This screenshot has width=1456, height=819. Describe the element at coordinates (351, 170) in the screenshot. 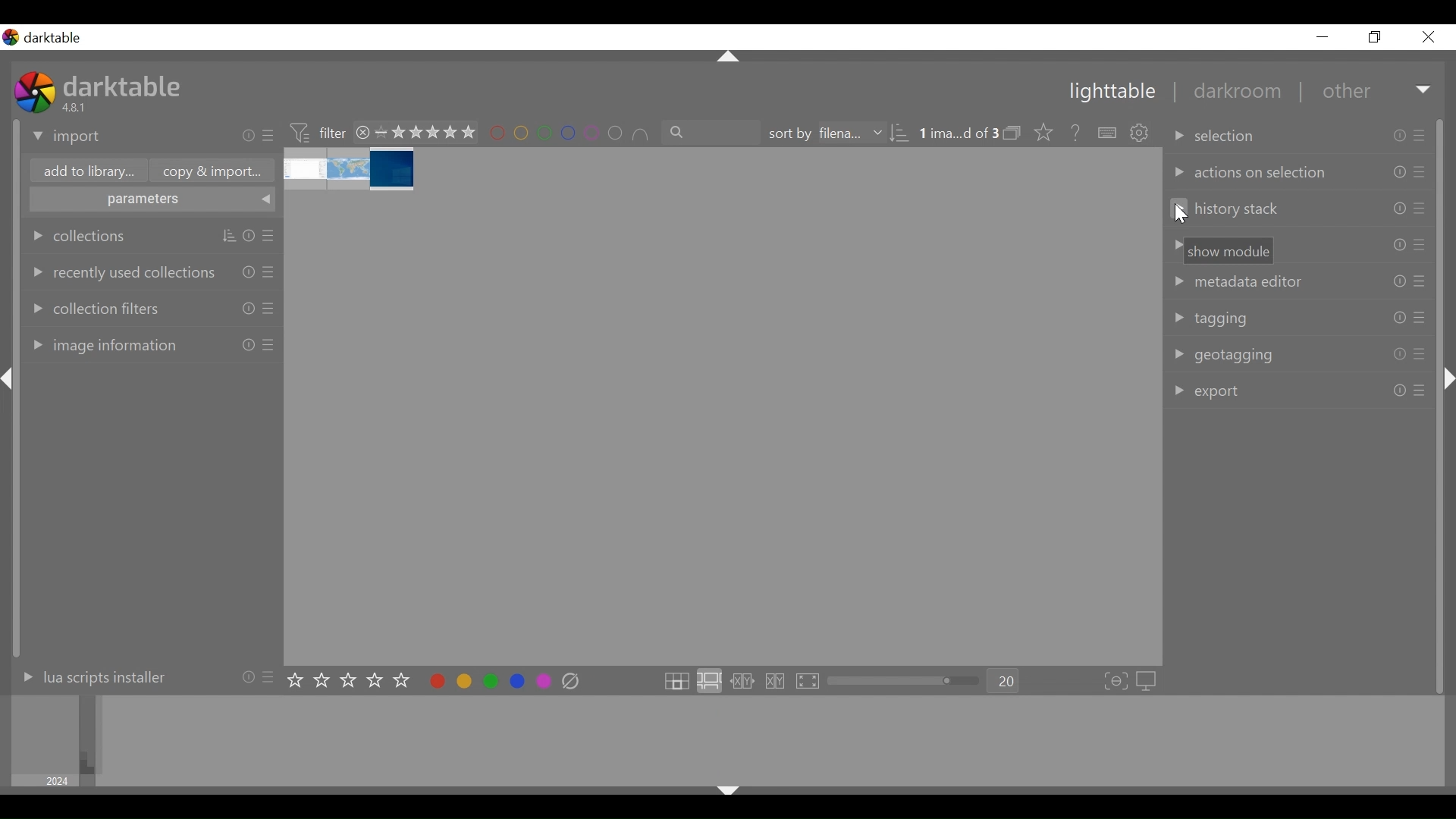

I see `image stack` at that location.